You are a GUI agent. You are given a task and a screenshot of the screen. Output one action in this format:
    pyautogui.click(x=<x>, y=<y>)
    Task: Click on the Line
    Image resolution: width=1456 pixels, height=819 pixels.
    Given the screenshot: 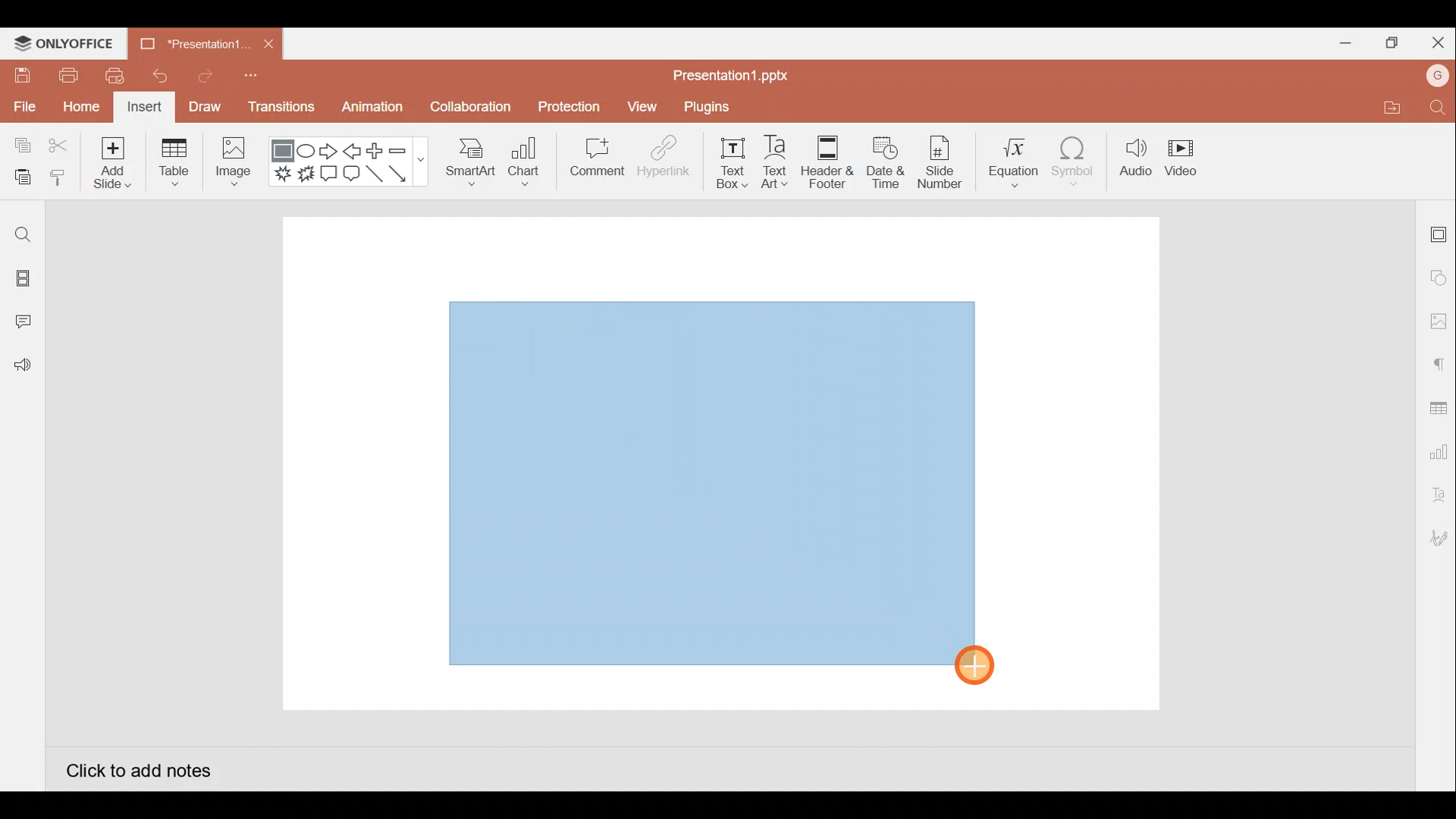 What is the action you would take?
    pyautogui.click(x=375, y=174)
    